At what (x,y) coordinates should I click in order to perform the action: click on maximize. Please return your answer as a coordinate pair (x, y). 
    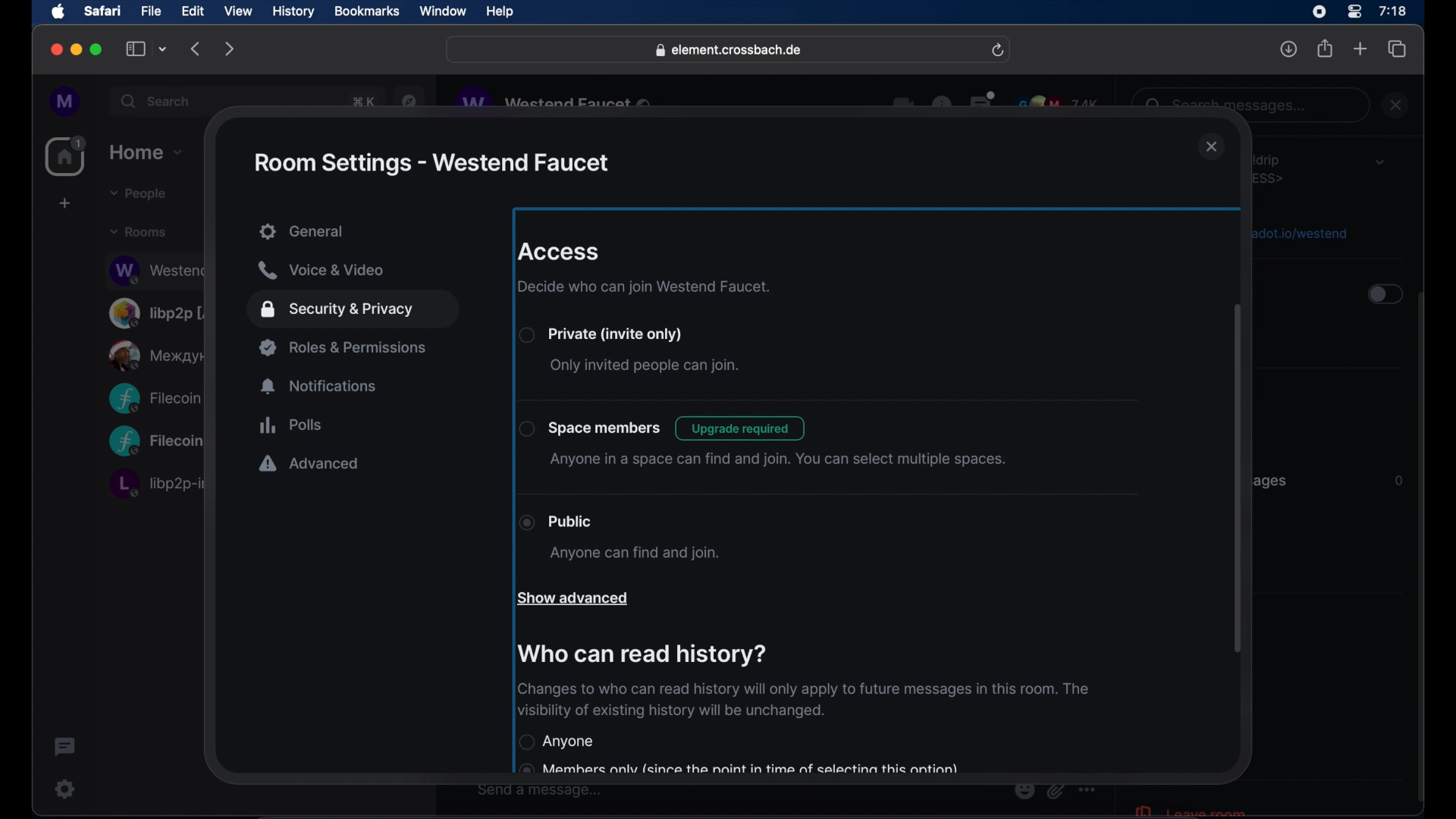
    Looking at the image, I should click on (98, 49).